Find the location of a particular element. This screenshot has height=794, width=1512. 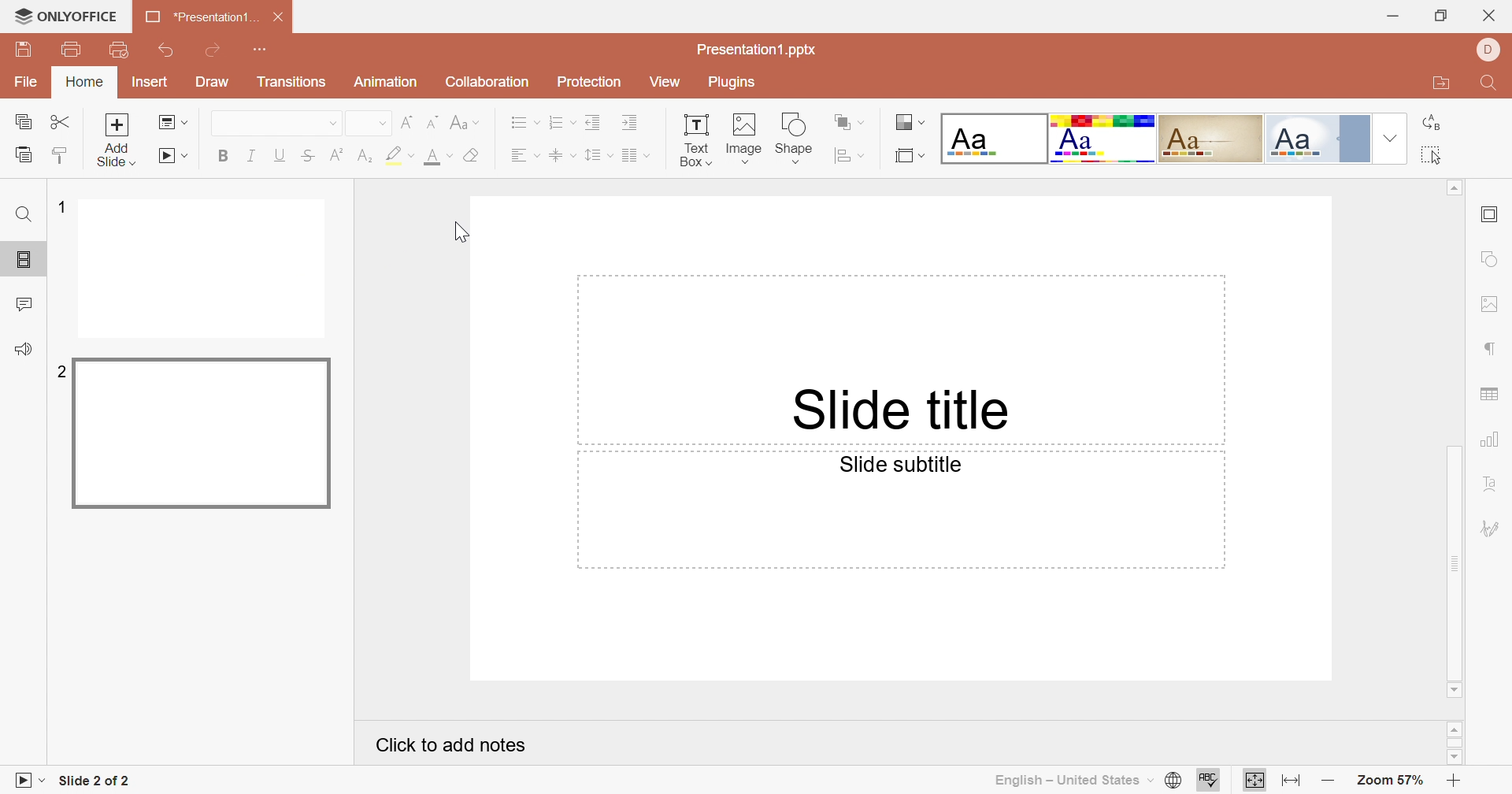

Highlight color is located at coordinates (398, 154).